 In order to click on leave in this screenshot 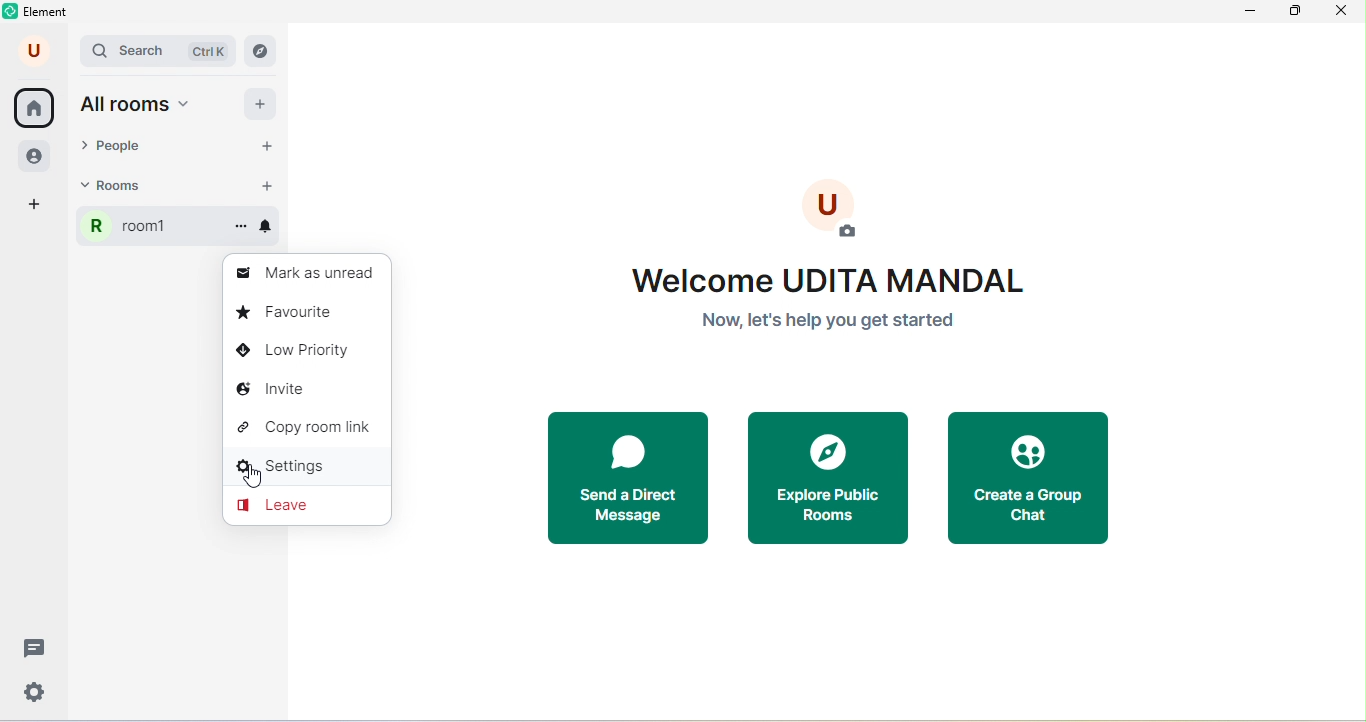, I will do `click(282, 506)`.